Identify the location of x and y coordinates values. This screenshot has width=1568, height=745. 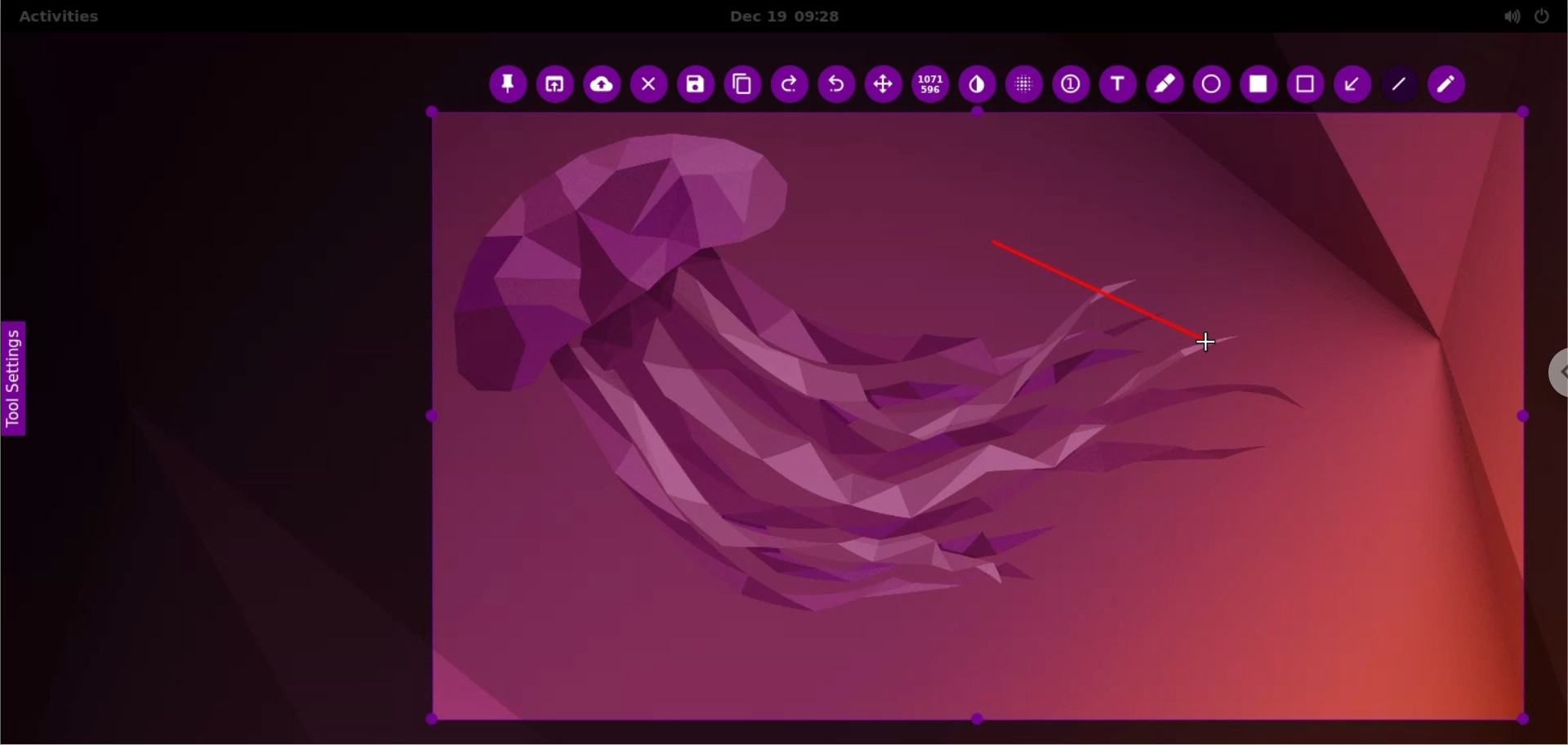
(932, 85).